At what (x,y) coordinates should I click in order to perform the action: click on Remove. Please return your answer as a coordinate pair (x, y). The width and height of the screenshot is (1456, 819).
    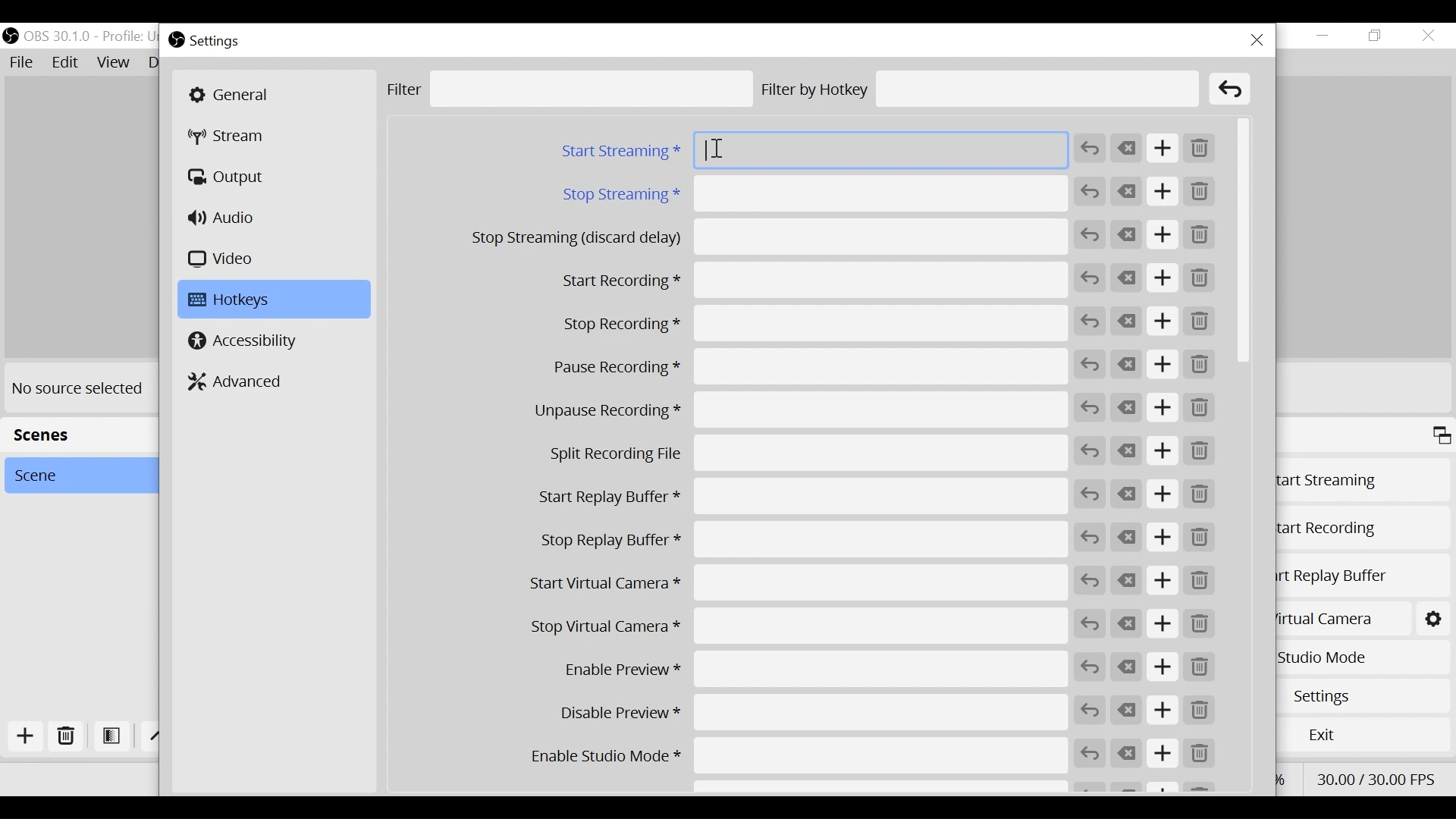
    Looking at the image, I should click on (1200, 539).